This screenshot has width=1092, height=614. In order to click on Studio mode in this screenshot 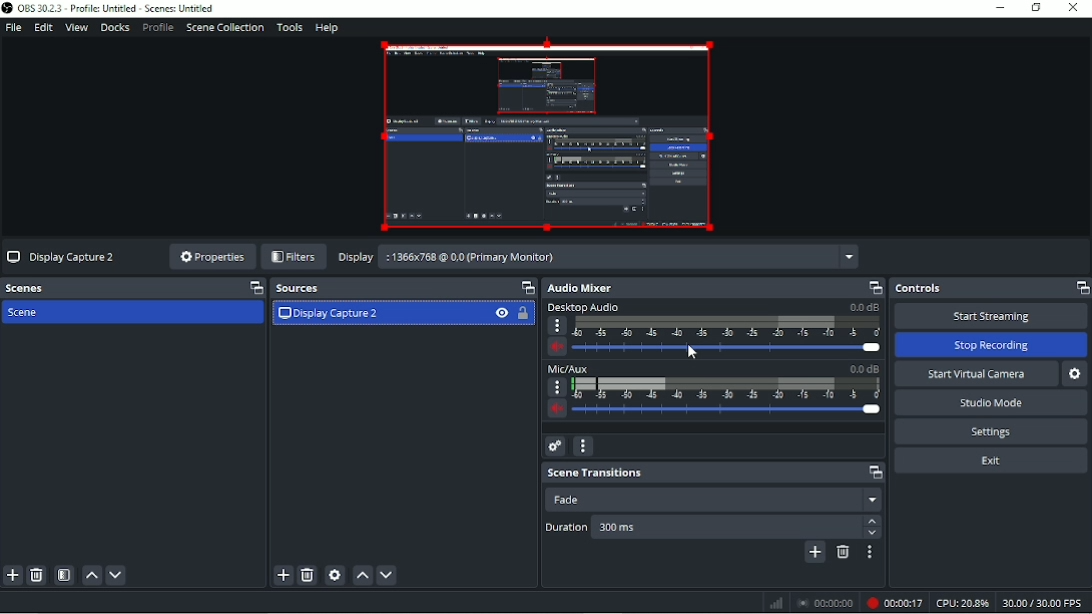, I will do `click(991, 403)`.